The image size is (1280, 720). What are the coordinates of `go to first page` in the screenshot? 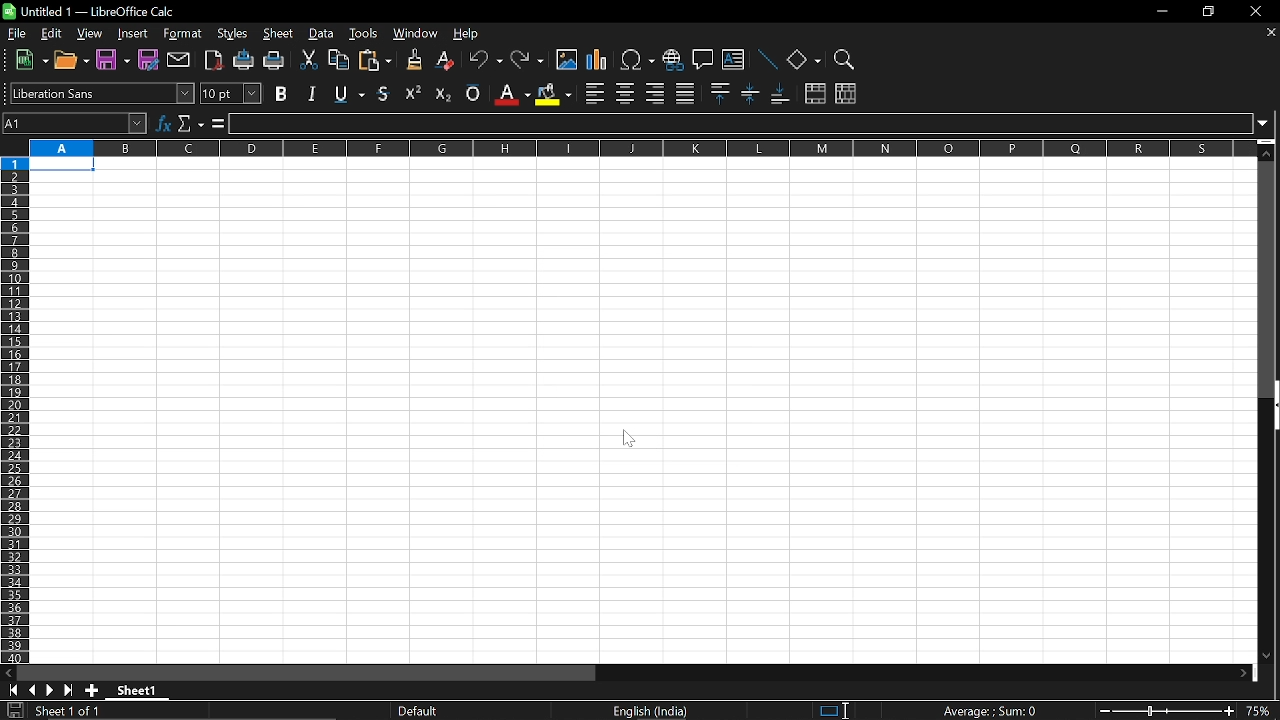 It's located at (10, 689).